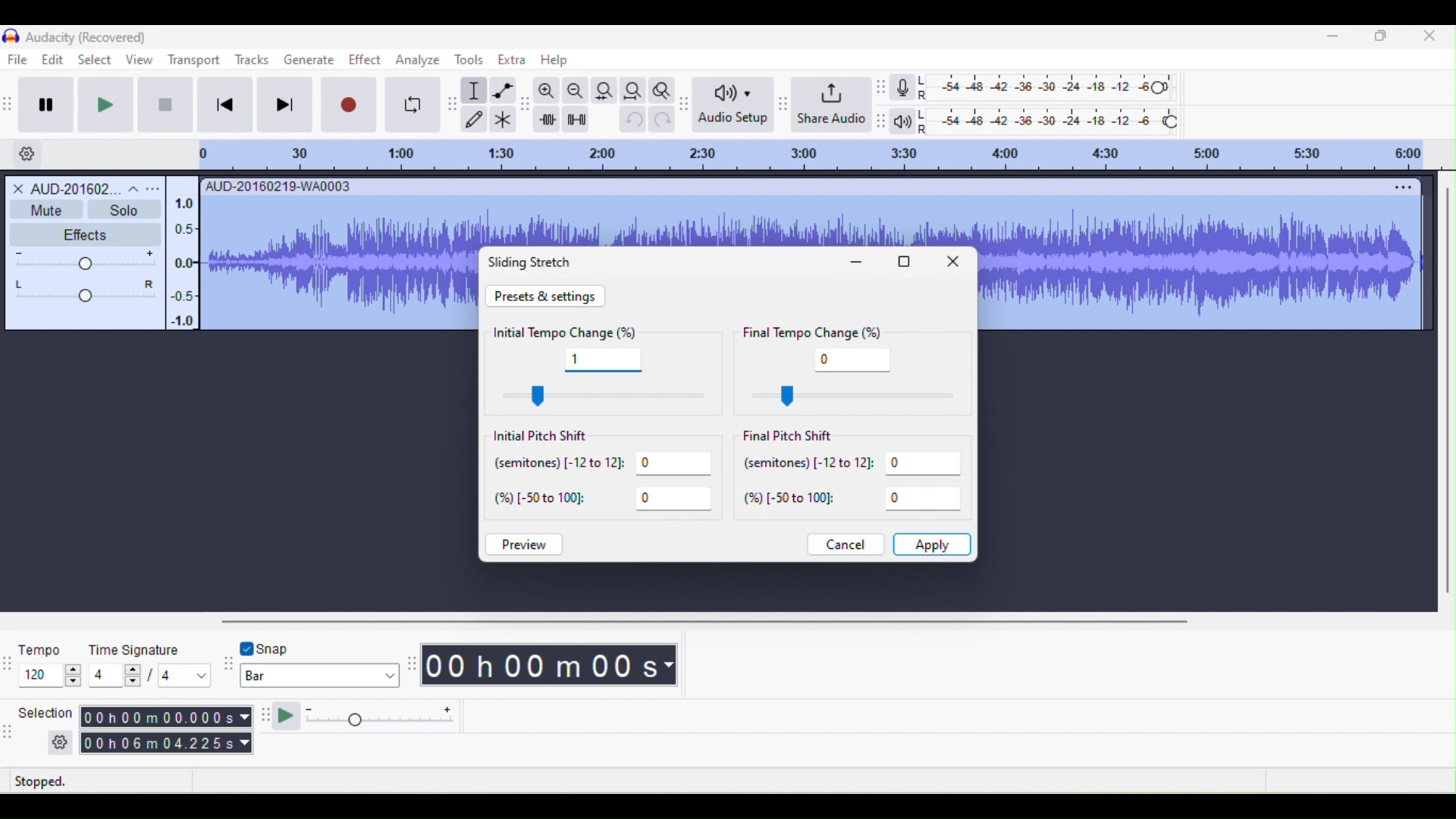 The image size is (1456, 819). I want to click on Vertical scroll bar, so click(1442, 394).